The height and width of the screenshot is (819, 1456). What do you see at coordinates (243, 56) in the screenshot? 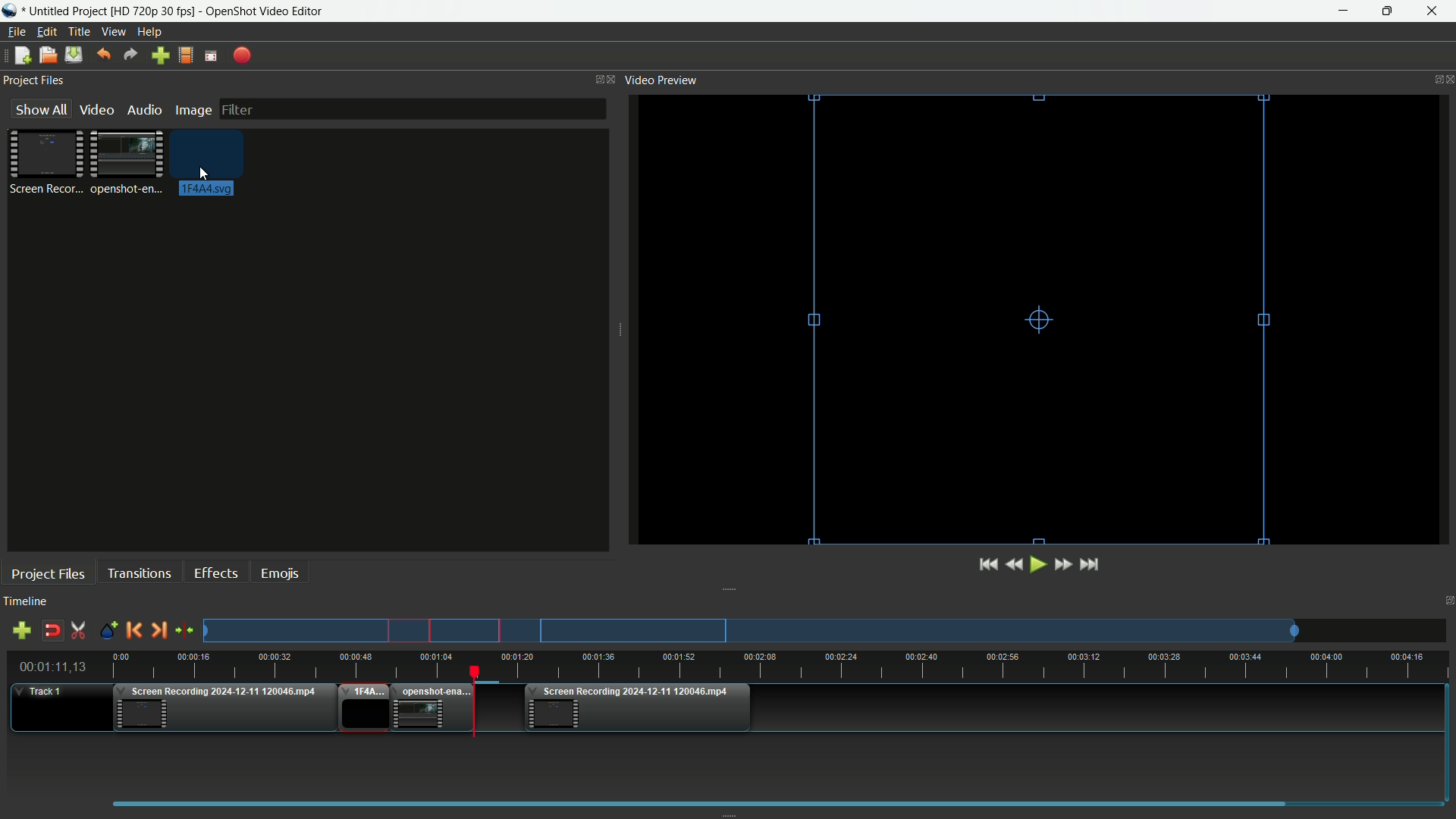
I see `Export` at bounding box center [243, 56].